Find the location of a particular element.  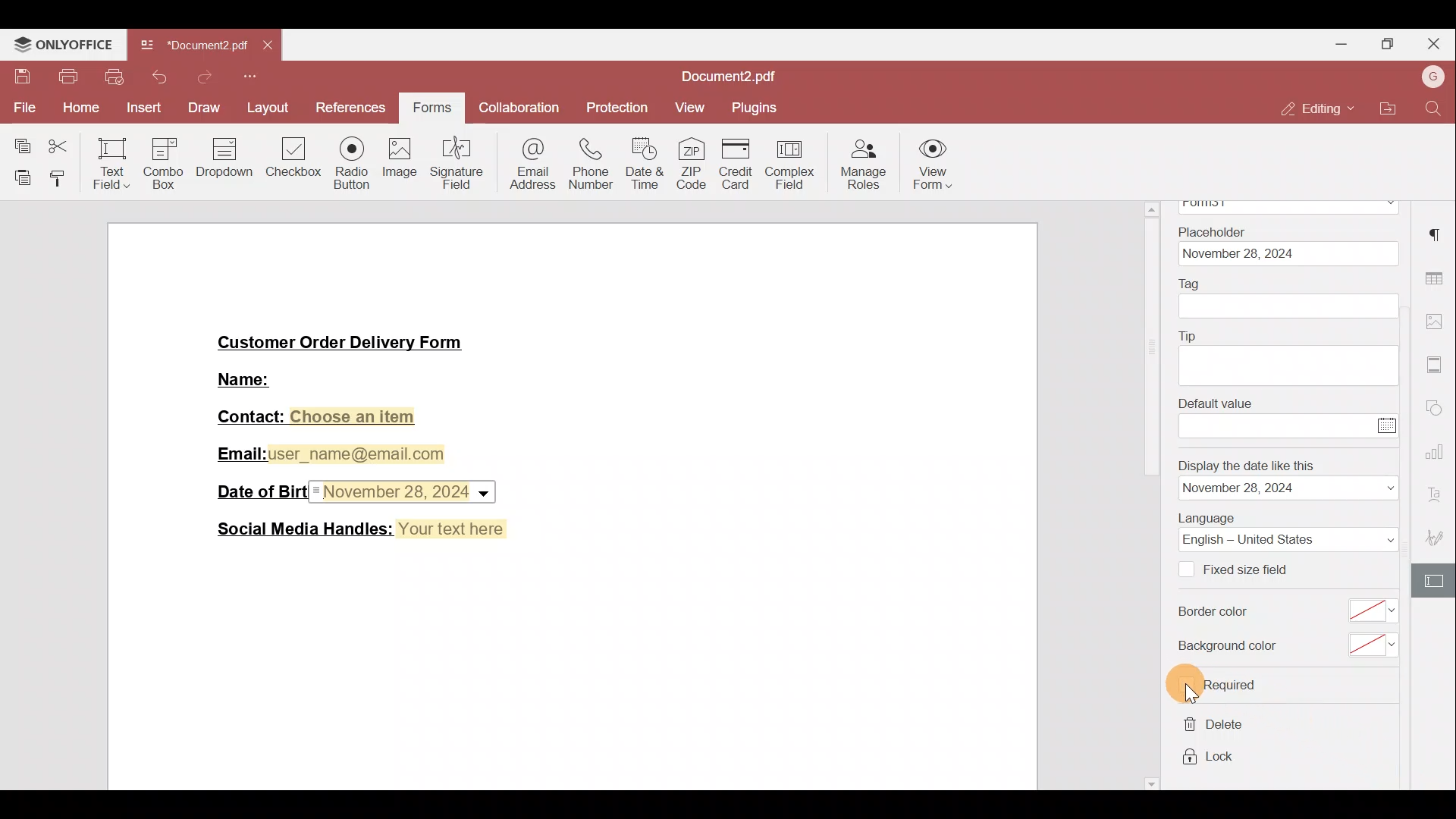

Customer Order Delivery Form| is located at coordinates (341, 345).